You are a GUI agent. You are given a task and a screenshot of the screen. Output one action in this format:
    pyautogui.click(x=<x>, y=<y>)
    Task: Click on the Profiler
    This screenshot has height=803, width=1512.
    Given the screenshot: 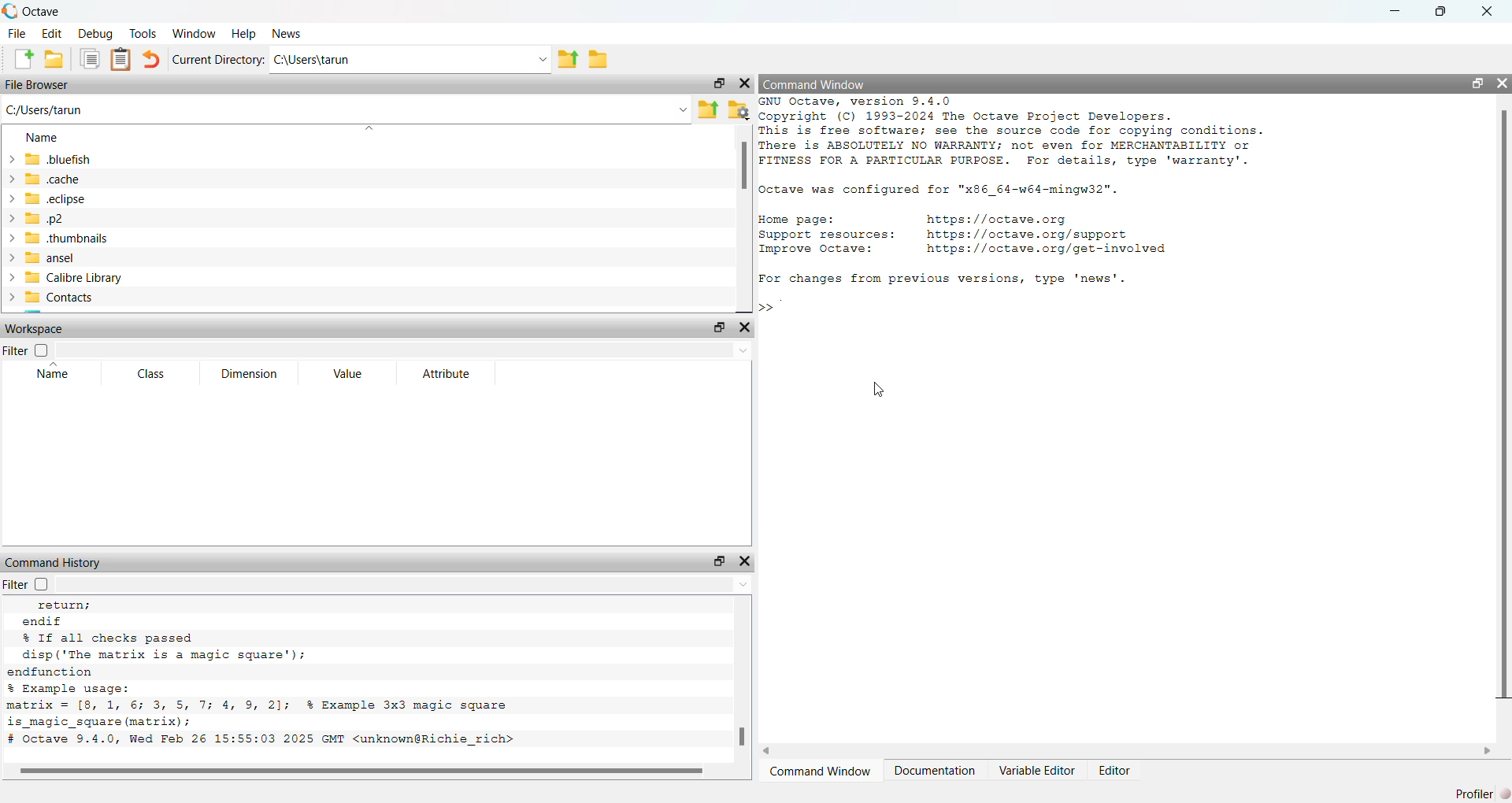 What is the action you would take?
    pyautogui.click(x=1480, y=794)
    